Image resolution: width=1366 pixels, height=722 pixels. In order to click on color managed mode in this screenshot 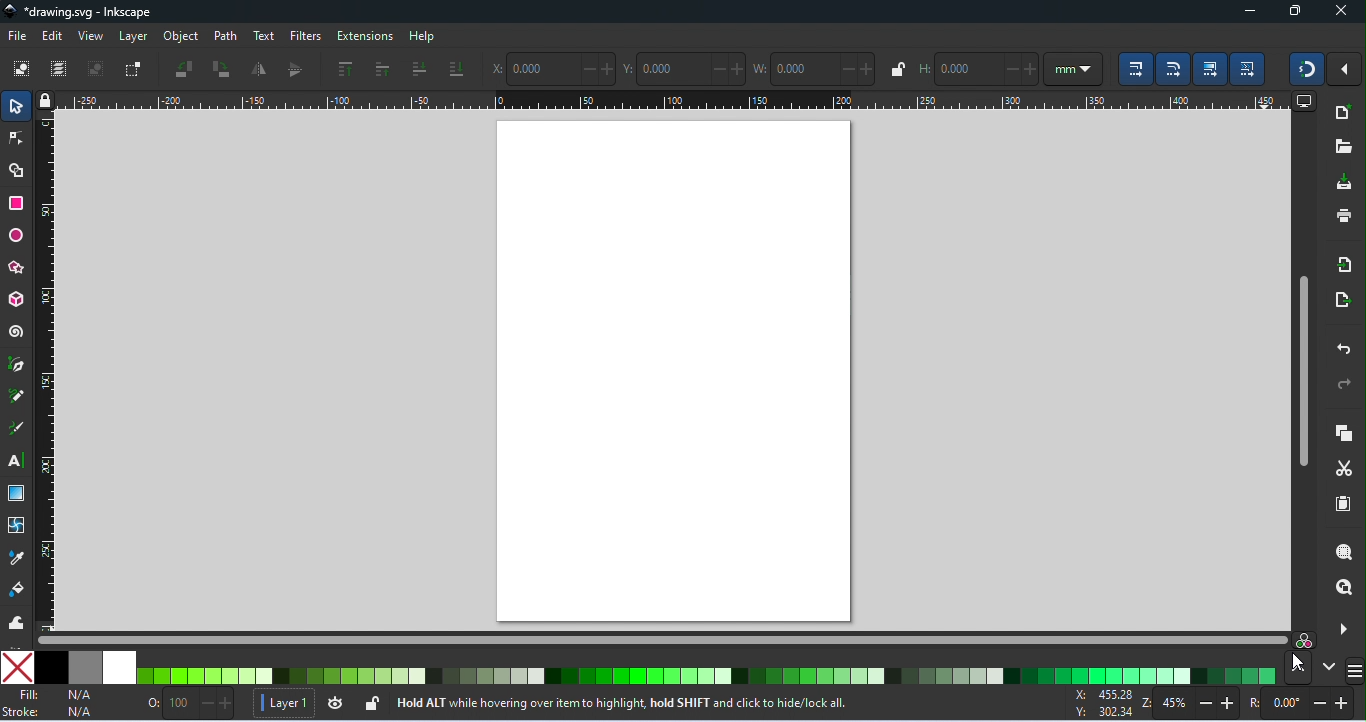, I will do `click(1302, 638)`.